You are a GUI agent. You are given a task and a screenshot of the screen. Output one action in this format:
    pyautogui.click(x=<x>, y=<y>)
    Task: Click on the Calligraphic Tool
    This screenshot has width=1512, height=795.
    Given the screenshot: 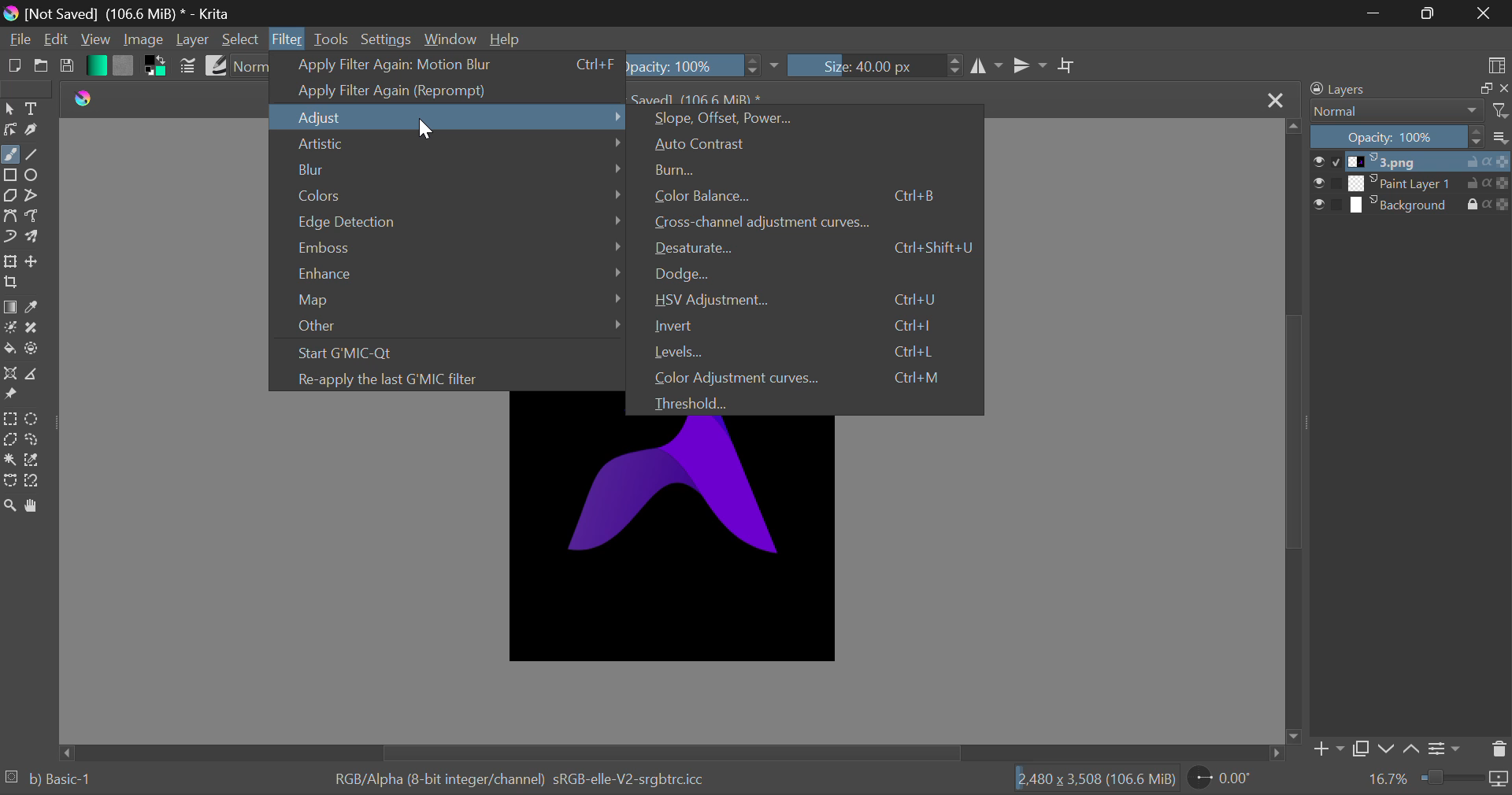 What is the action you would take?
    pyautogui.click(x=33, y=131)
    